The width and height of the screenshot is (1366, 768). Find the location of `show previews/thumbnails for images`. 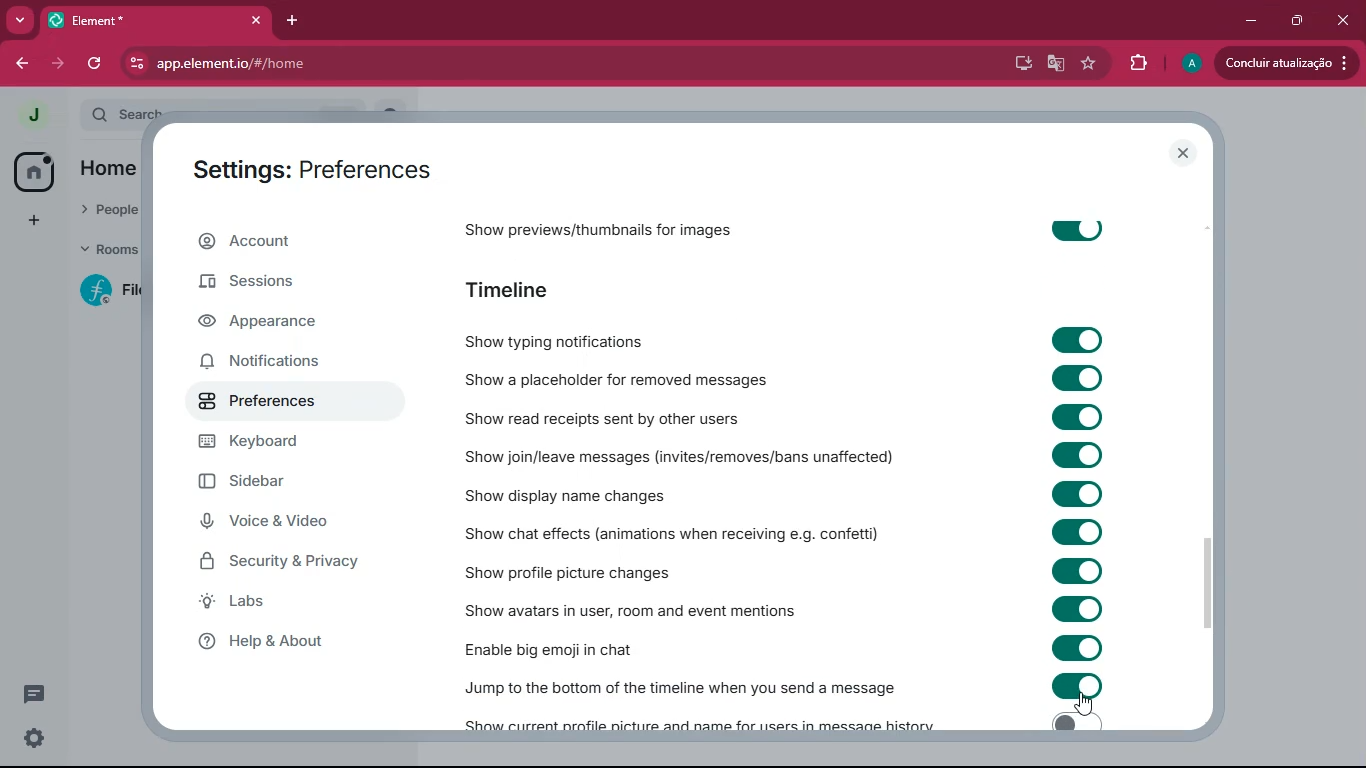

show previews/thumbnails for images is located at coordinates (621, 233).